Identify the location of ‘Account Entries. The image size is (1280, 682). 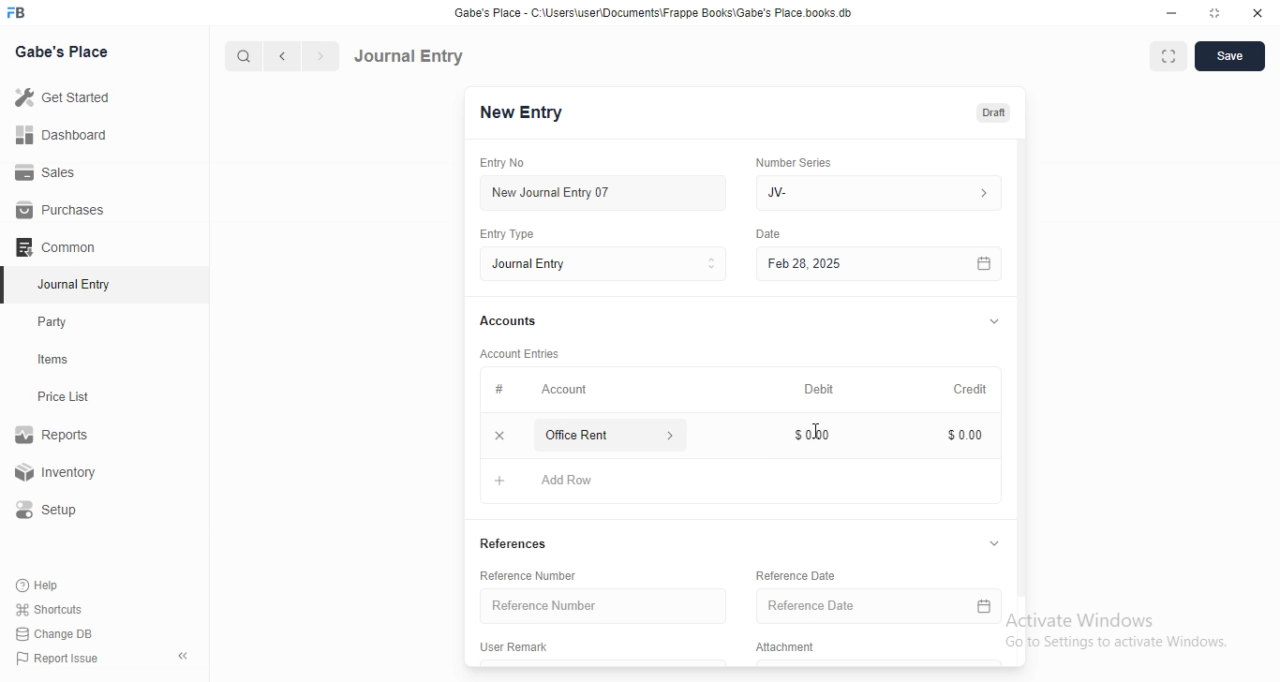
(521, 353).